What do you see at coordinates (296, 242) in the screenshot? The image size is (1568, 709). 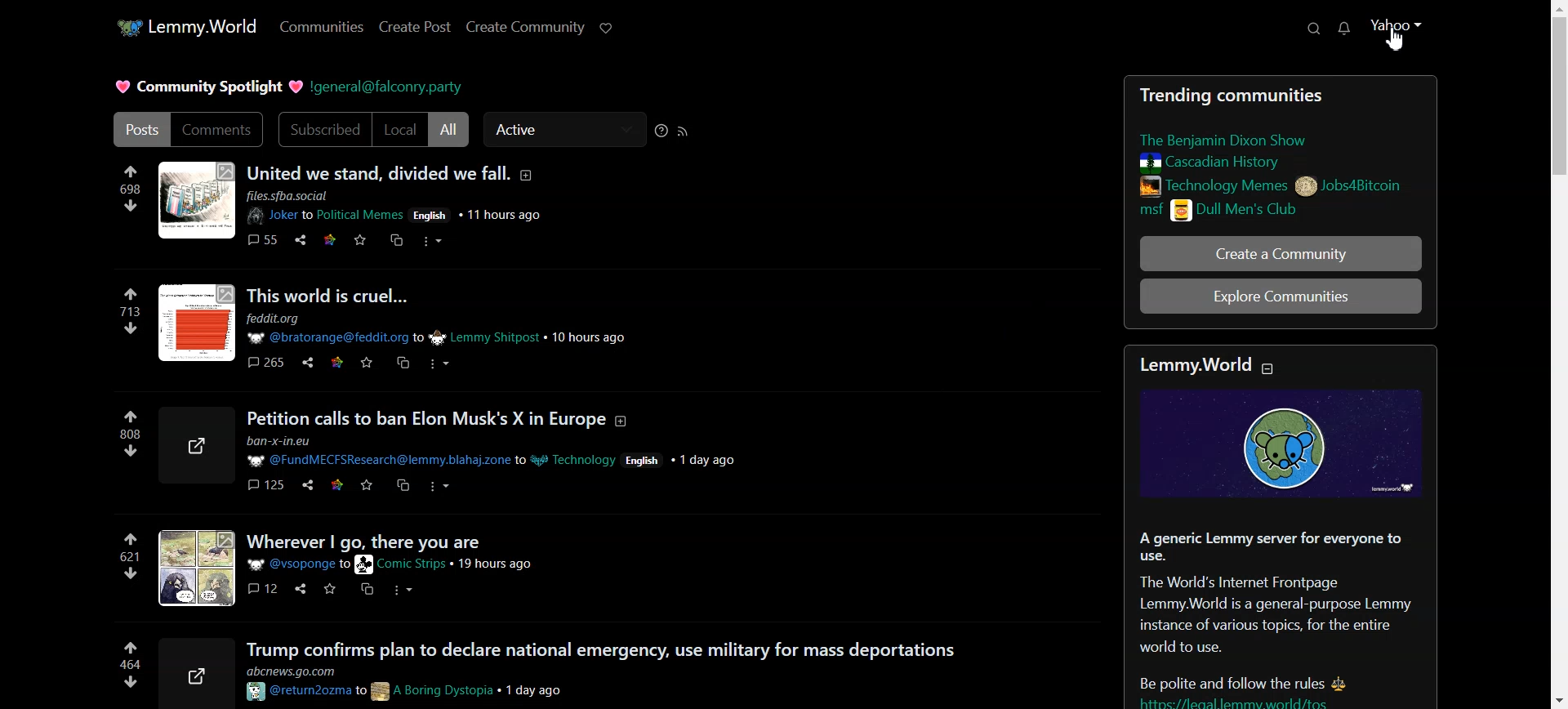 I see `share` at bounding box center [296, 242].